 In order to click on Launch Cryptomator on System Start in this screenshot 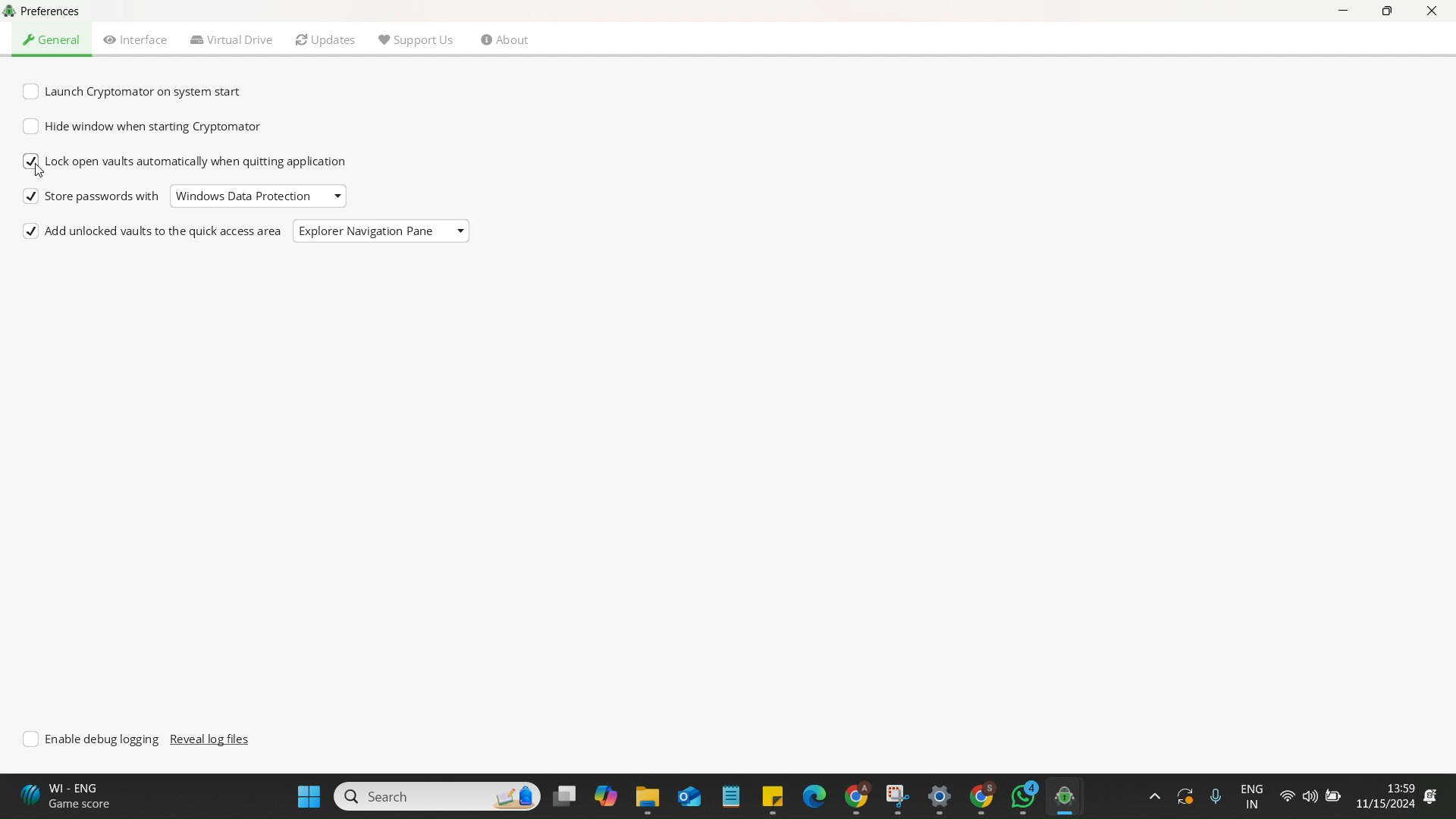, I will do `click(137, 93)`.